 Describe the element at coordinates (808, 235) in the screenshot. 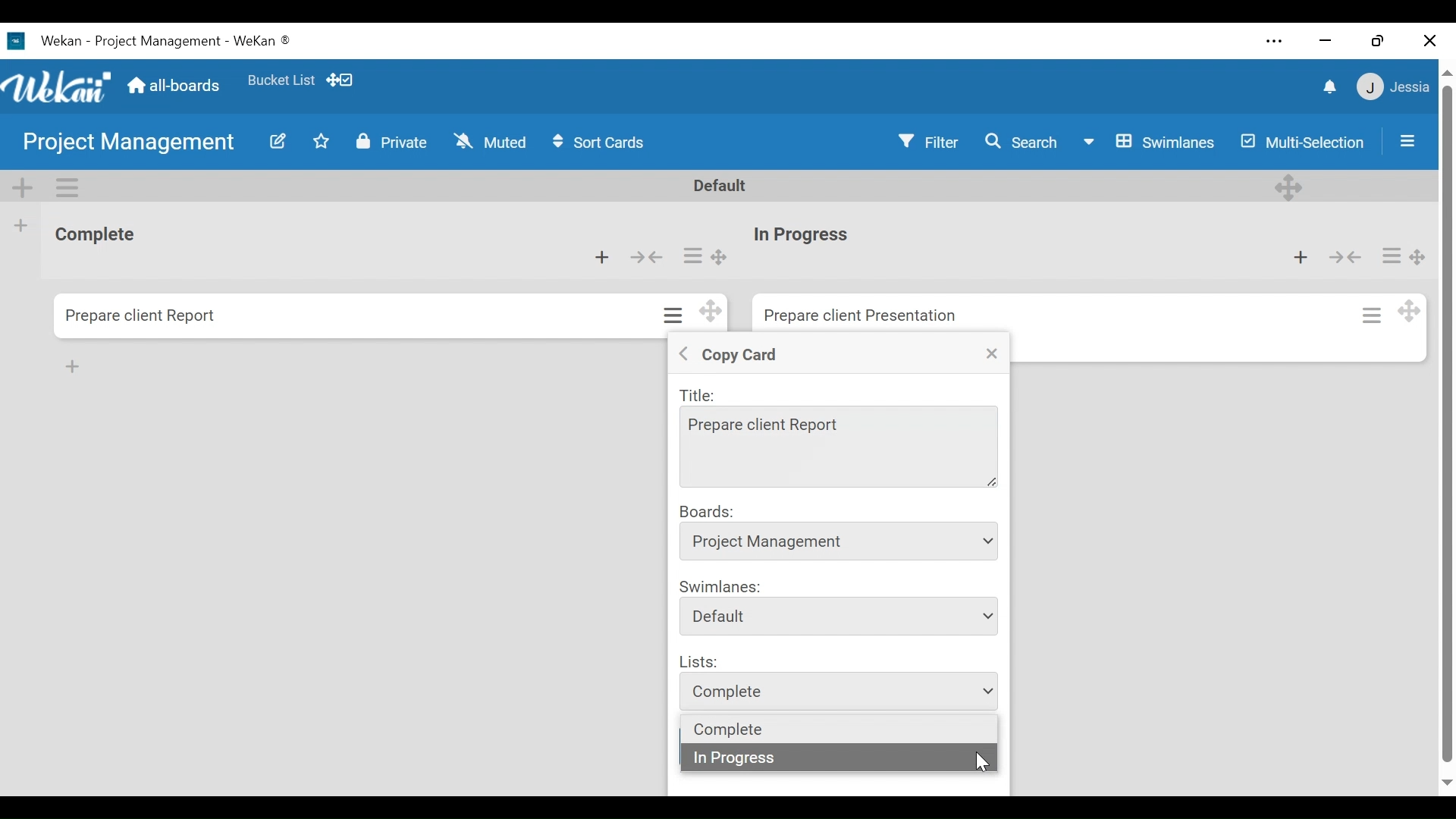

I see `Card Title` at that location.